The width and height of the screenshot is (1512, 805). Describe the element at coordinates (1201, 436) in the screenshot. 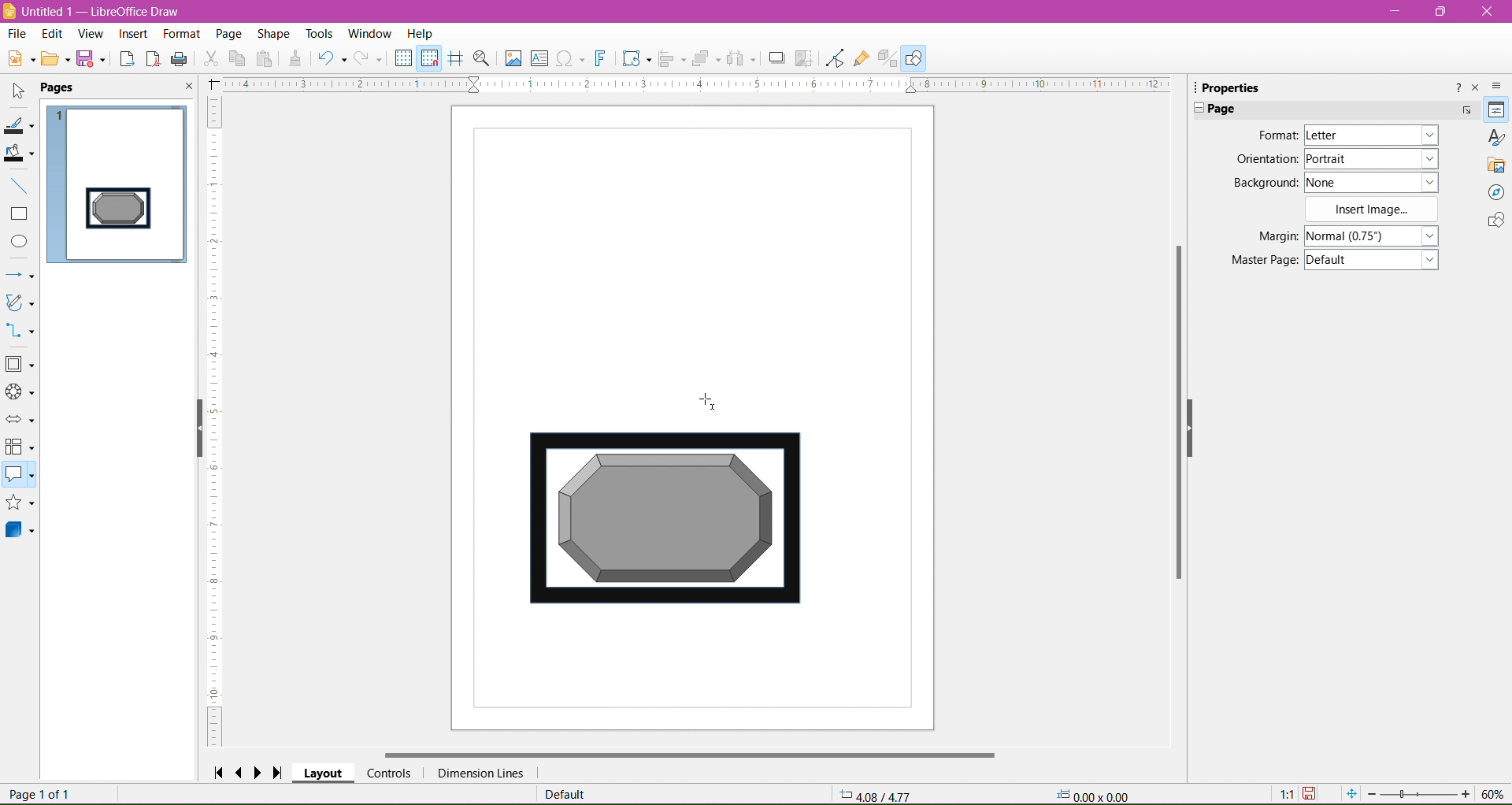

I see `Hide` at that location.